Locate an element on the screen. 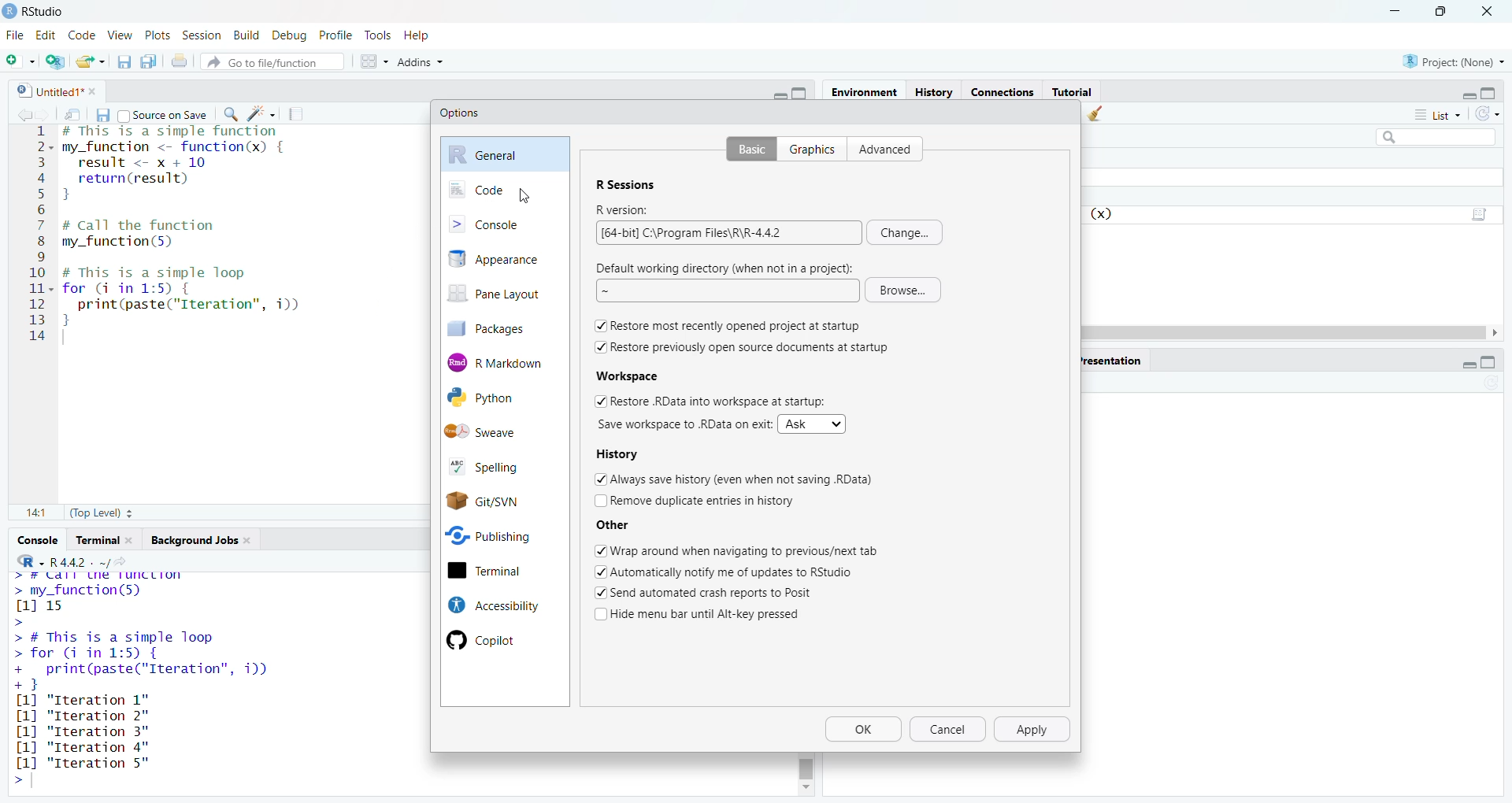 Image resolution: width=1512 pixels, height=803 pixels. close is located at coordinates (98, 91).